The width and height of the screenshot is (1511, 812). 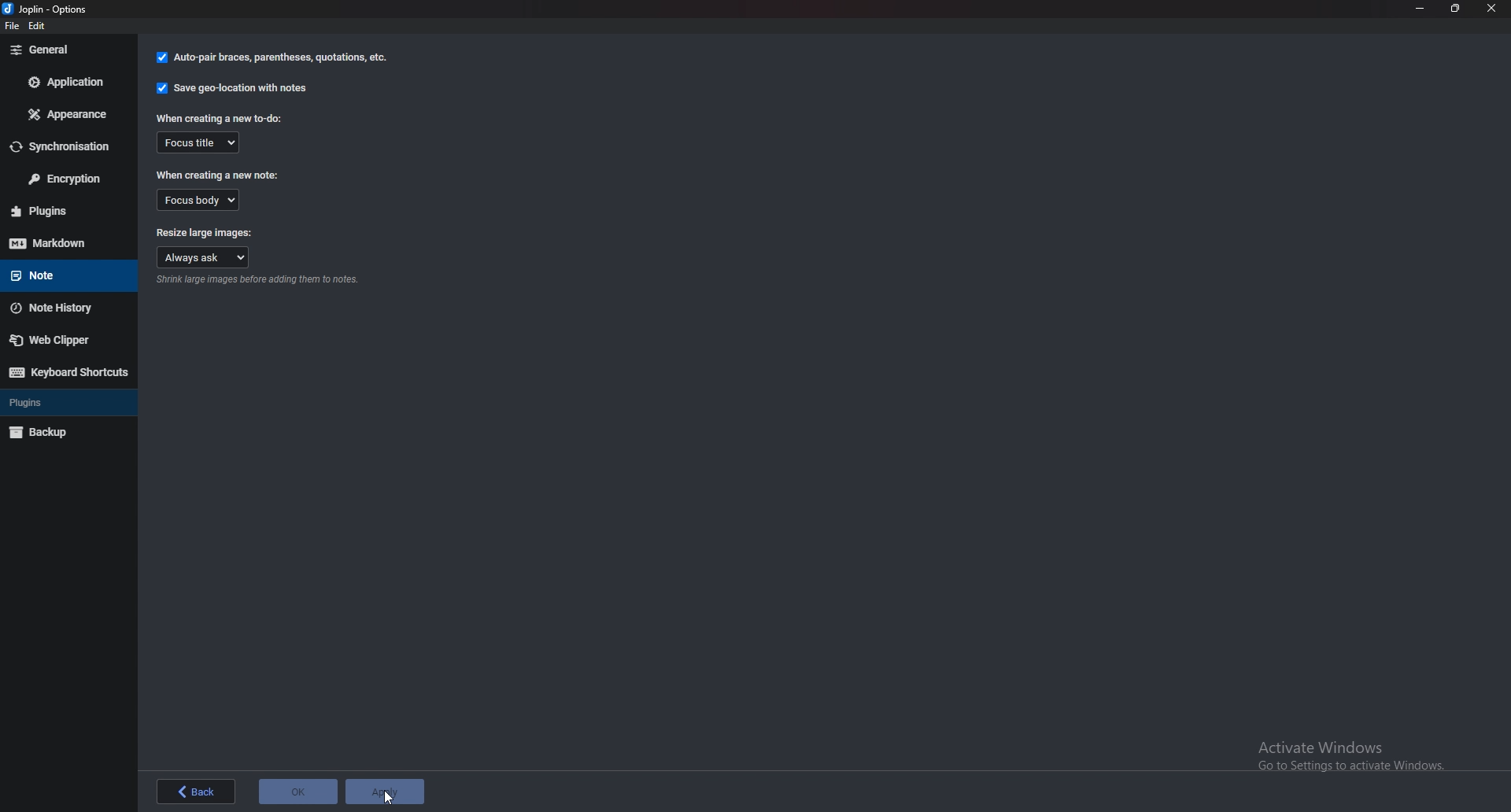 What do you see at coordinates (64, 341) in the screenshot?
I see `Web Clipper` at bounding box center [64, 341].